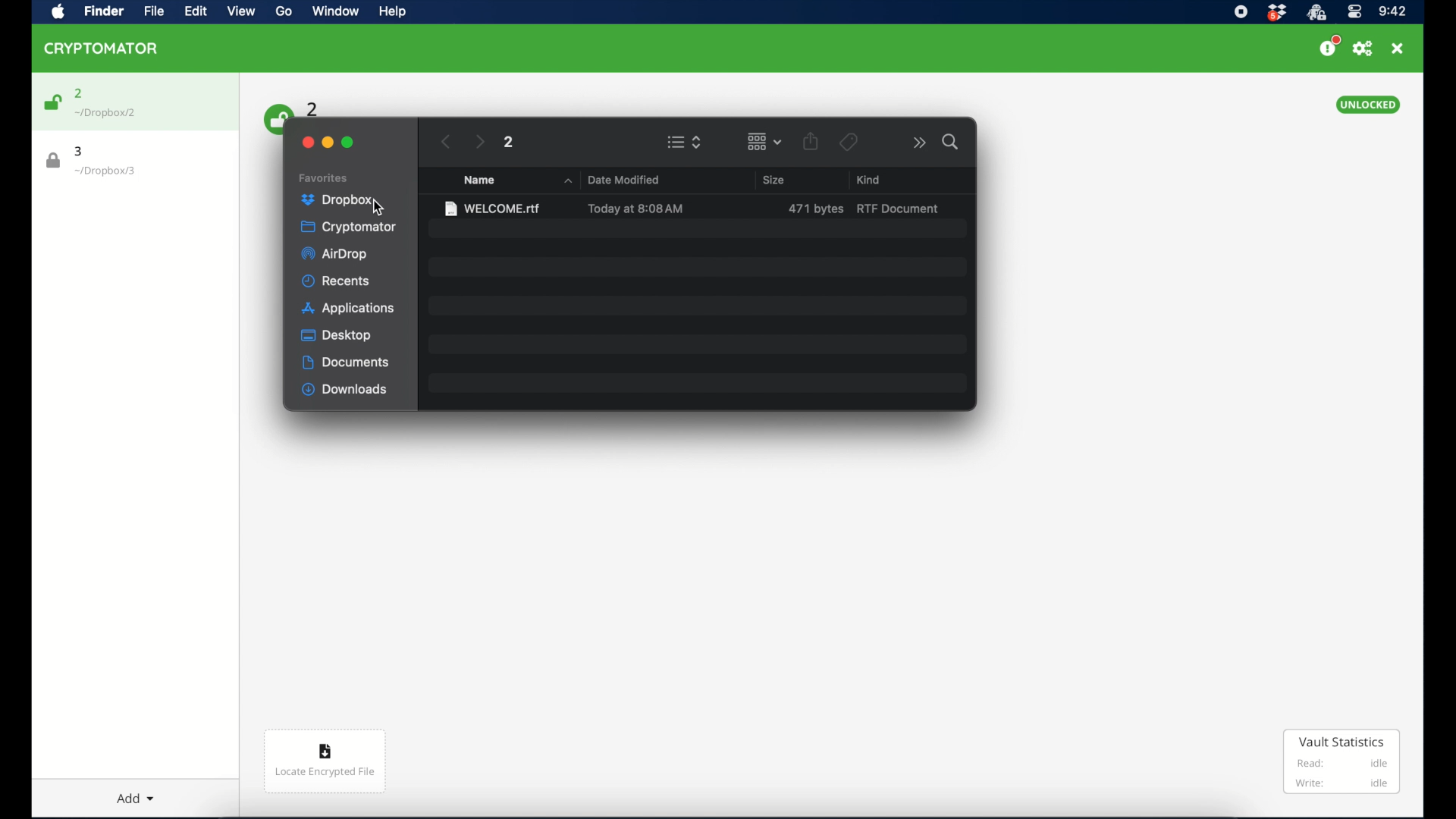 The image size is (1456, 819). Describe the element at coordinates (815, 209) in the screenshot. I see `size` at that location.